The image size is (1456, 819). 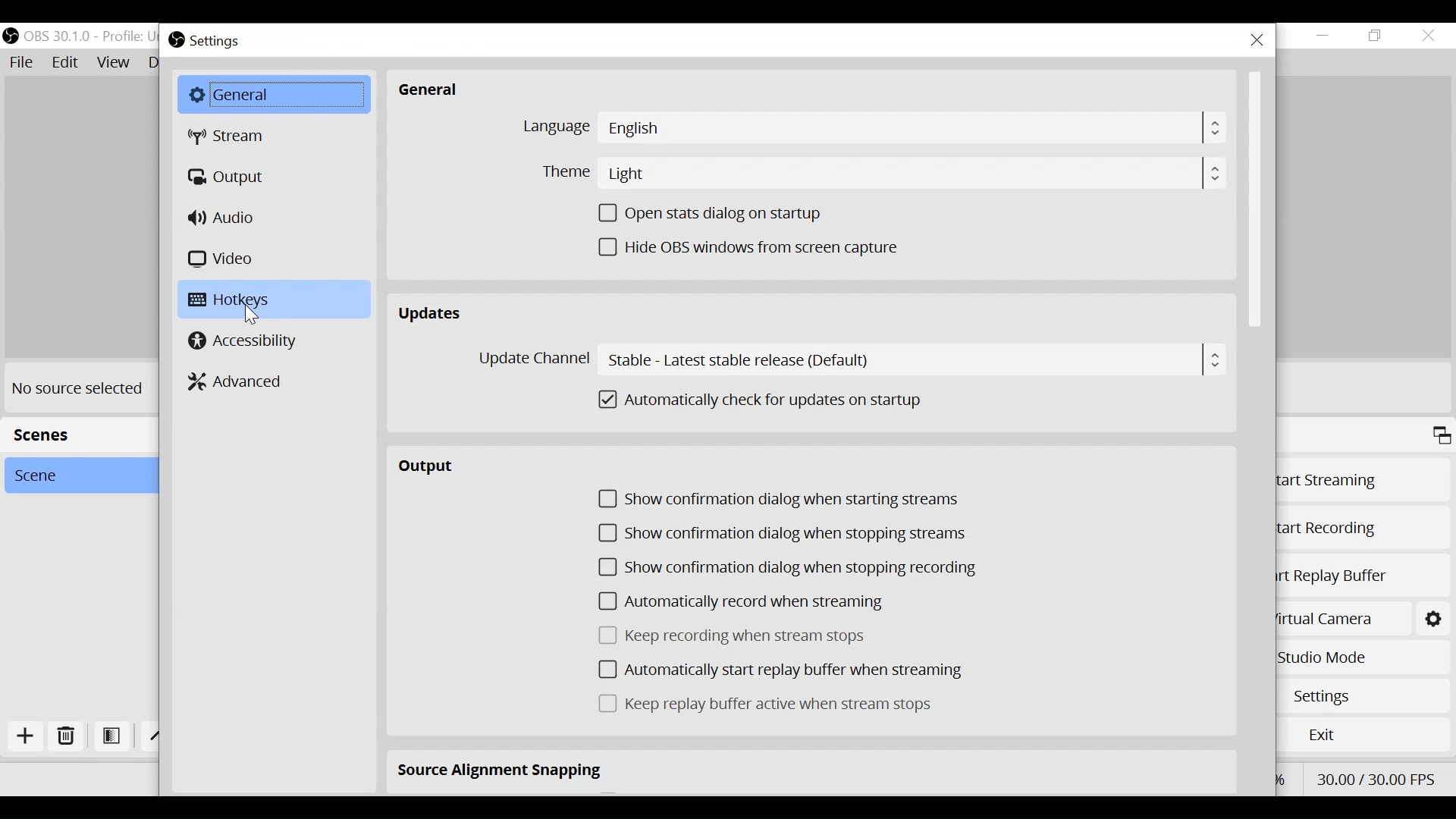 What do you see at coordinates (74, 475) in the screenshot?
I see `Scene ` at bounding box center [74, 475].